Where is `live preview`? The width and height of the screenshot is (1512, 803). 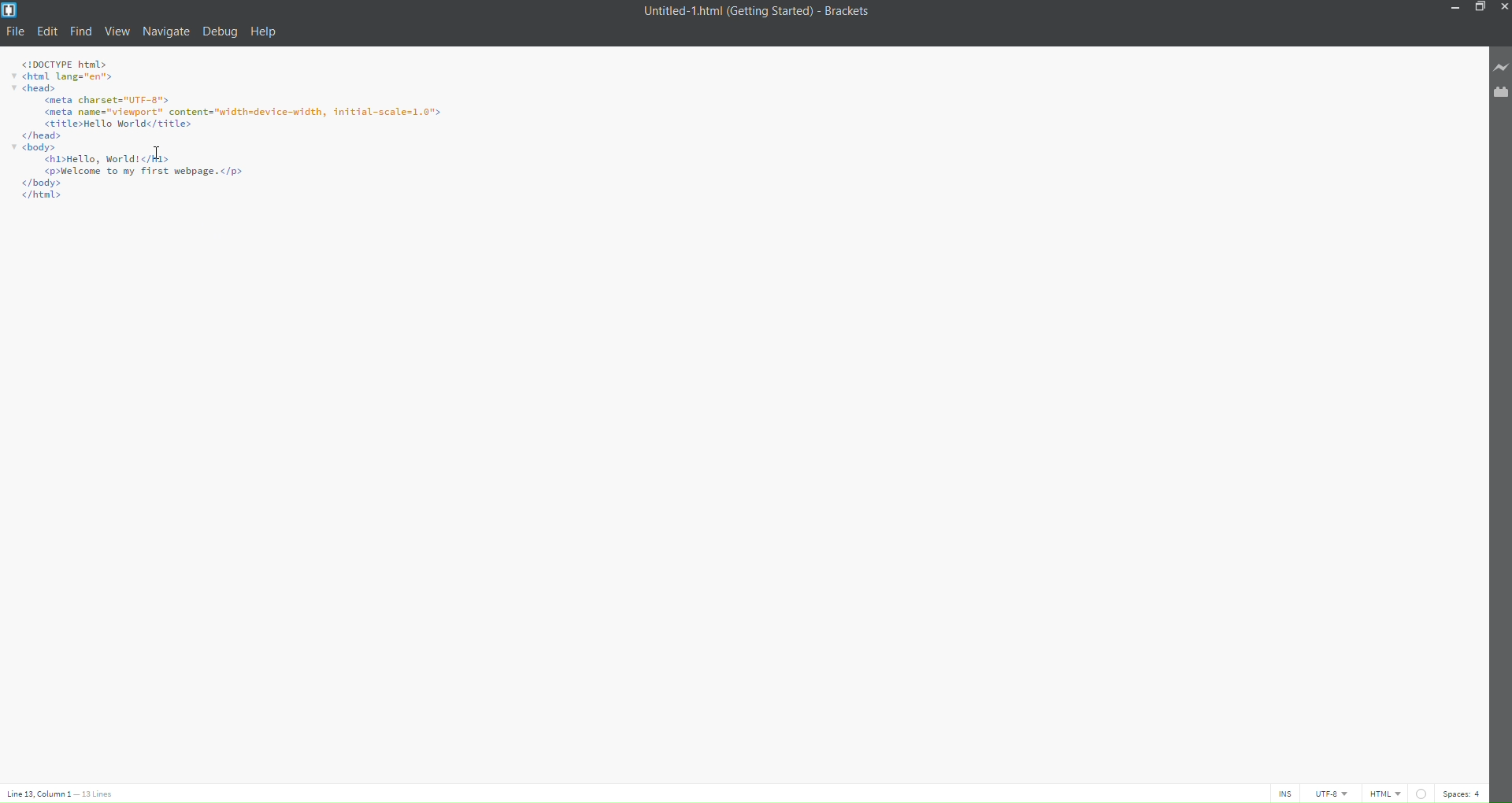
live preview is located at coordinates (1497, 68).